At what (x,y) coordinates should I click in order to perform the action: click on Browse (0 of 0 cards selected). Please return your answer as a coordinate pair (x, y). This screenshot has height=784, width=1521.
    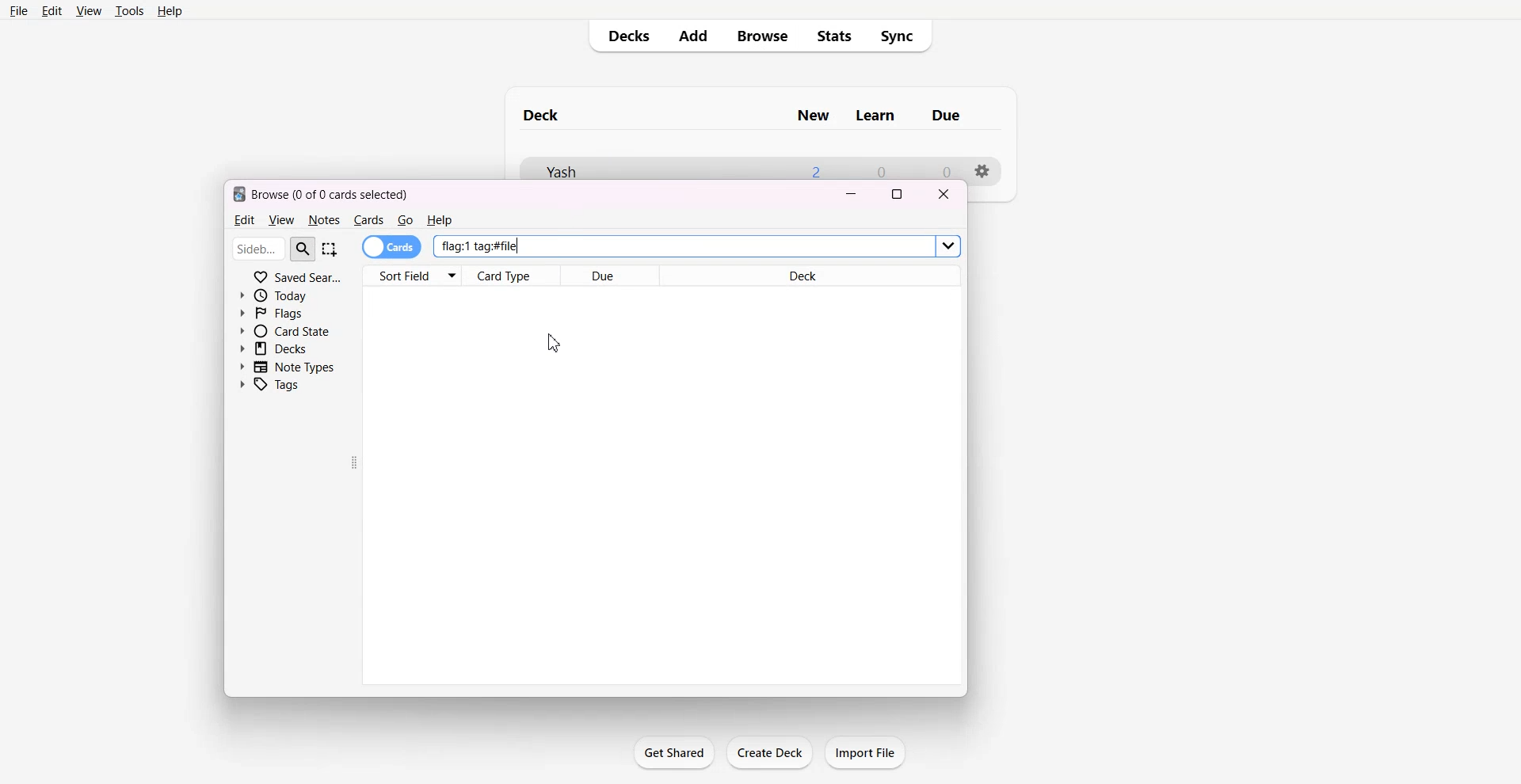
    Looking at the image, I should click on (337, 194).